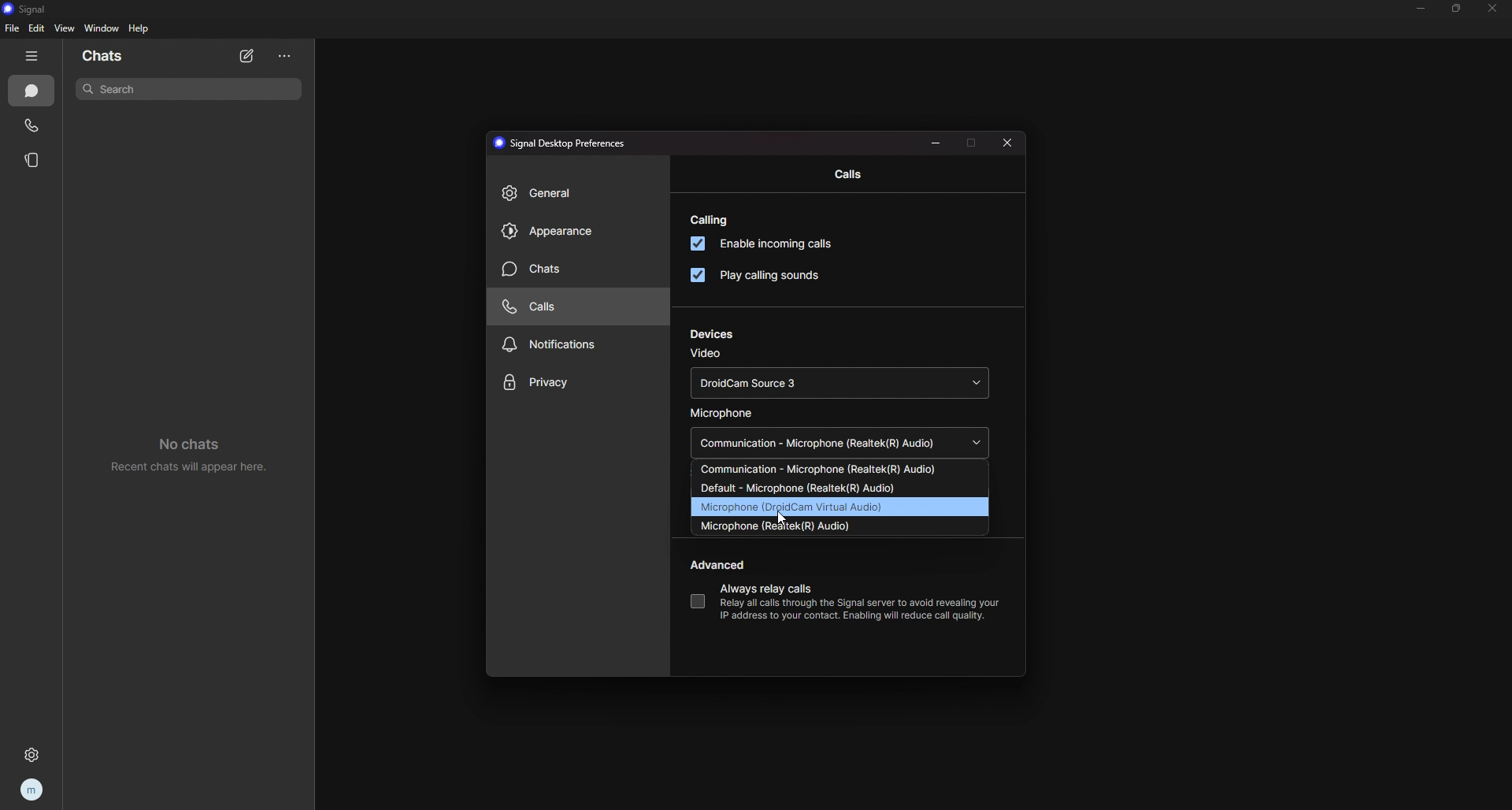  What do you see at coordinates (128, 54) in the screenshot?
I see `chats` at bounding box center [128, 54].